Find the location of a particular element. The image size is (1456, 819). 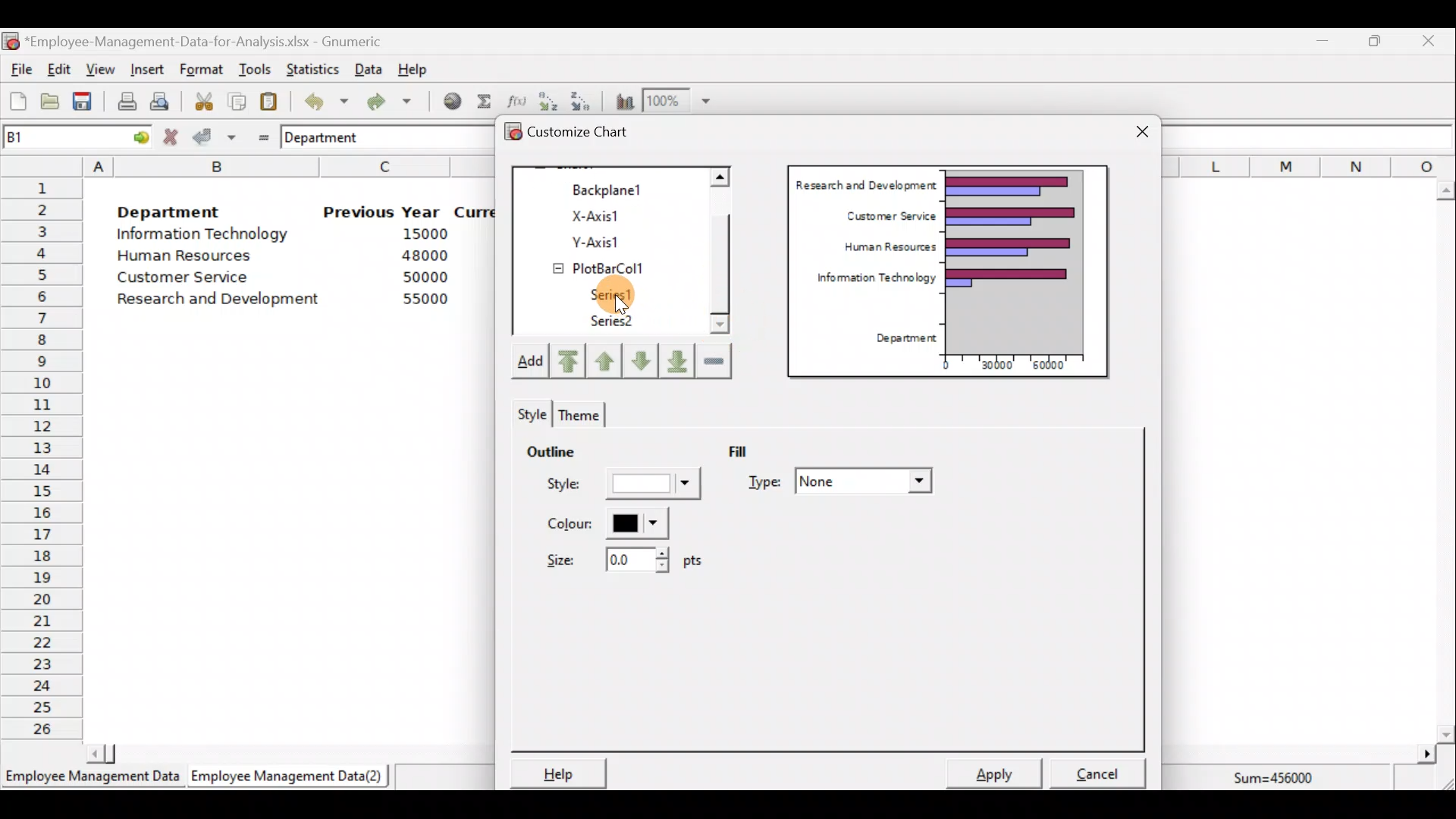

Close is located at coordinates (1427, 43).